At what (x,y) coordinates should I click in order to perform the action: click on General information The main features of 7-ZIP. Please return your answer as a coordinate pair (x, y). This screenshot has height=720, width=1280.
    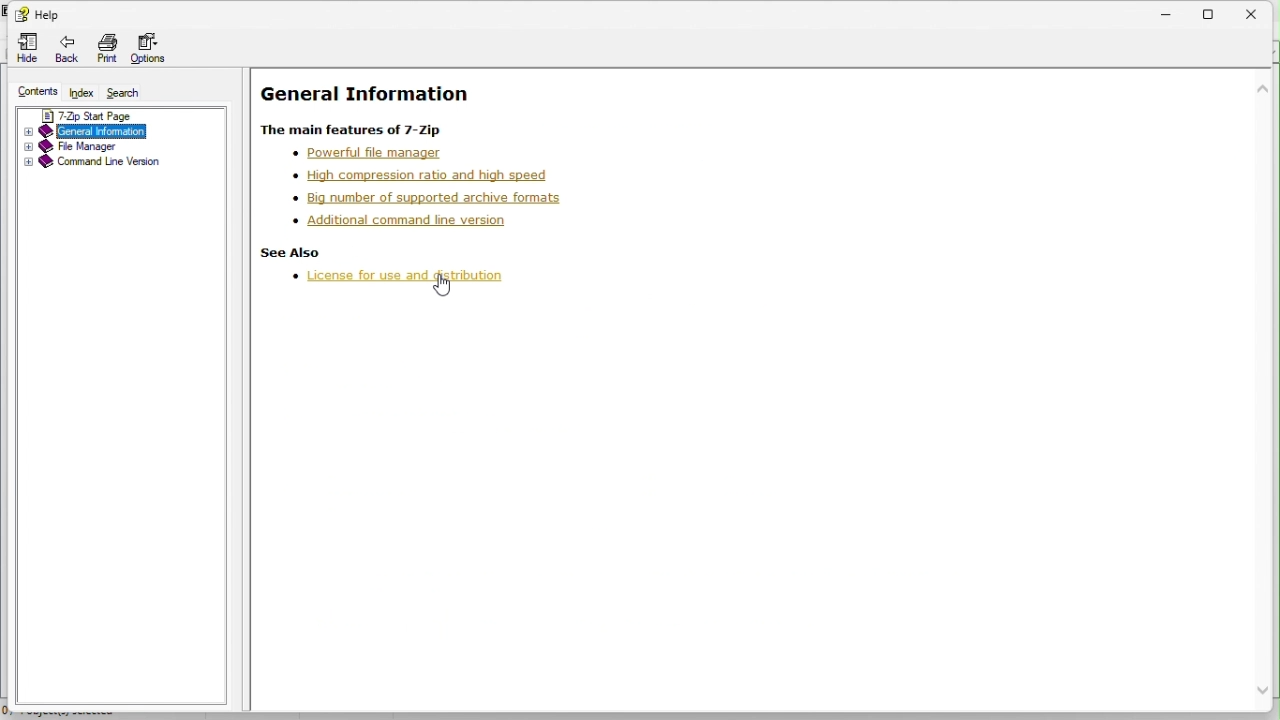
    Looking at the image, I should click on (415, 105).